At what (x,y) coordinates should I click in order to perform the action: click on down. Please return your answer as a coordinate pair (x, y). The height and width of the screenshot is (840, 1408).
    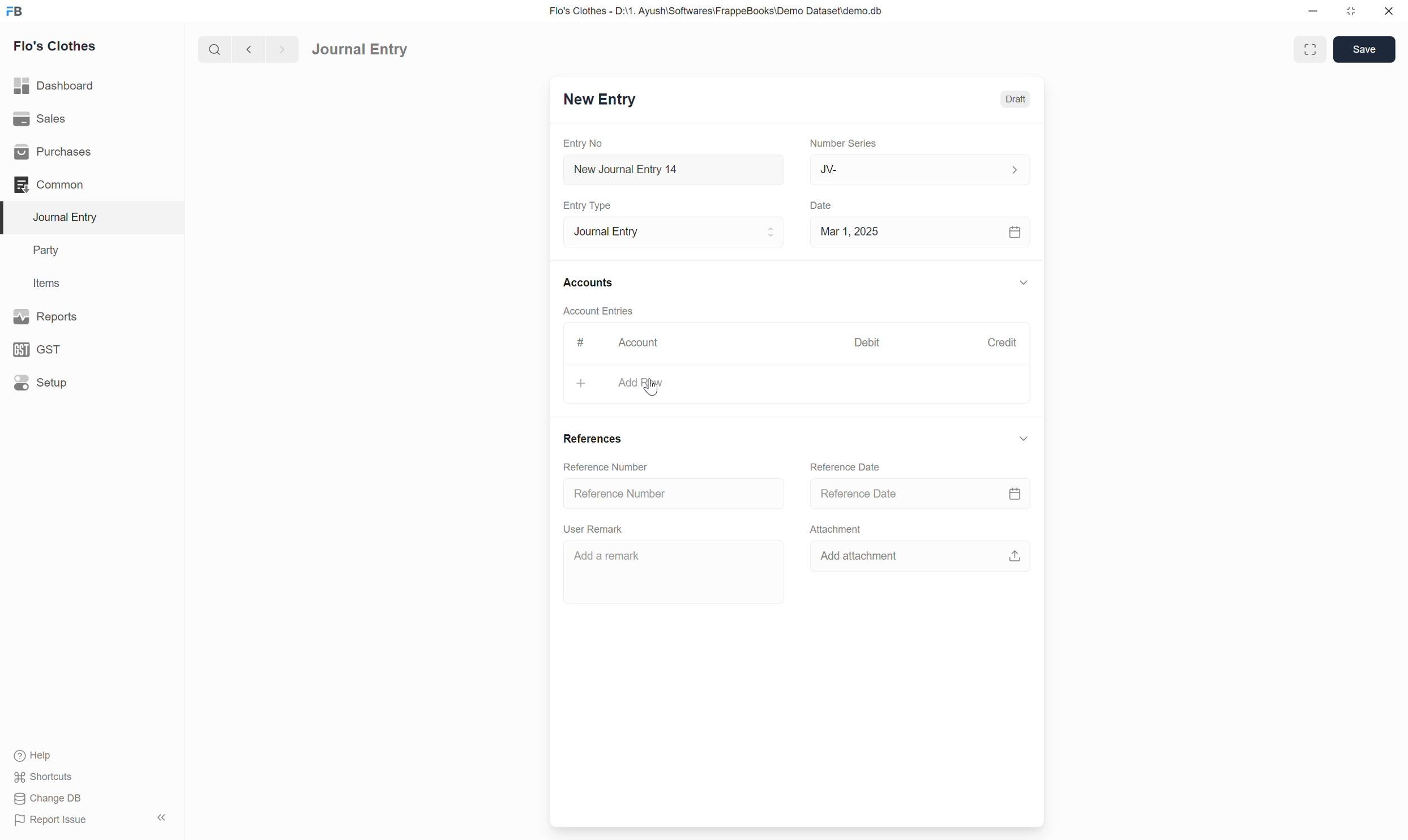
    Looking at the image, I should click on (1024, 438).